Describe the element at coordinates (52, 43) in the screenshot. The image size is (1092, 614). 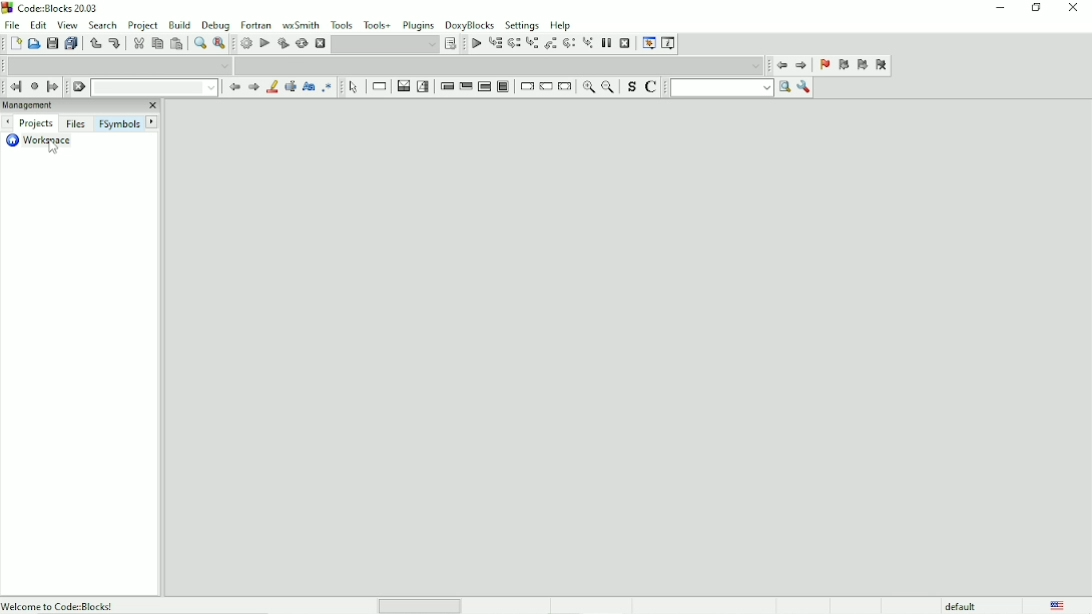
I see `Save` at that location.